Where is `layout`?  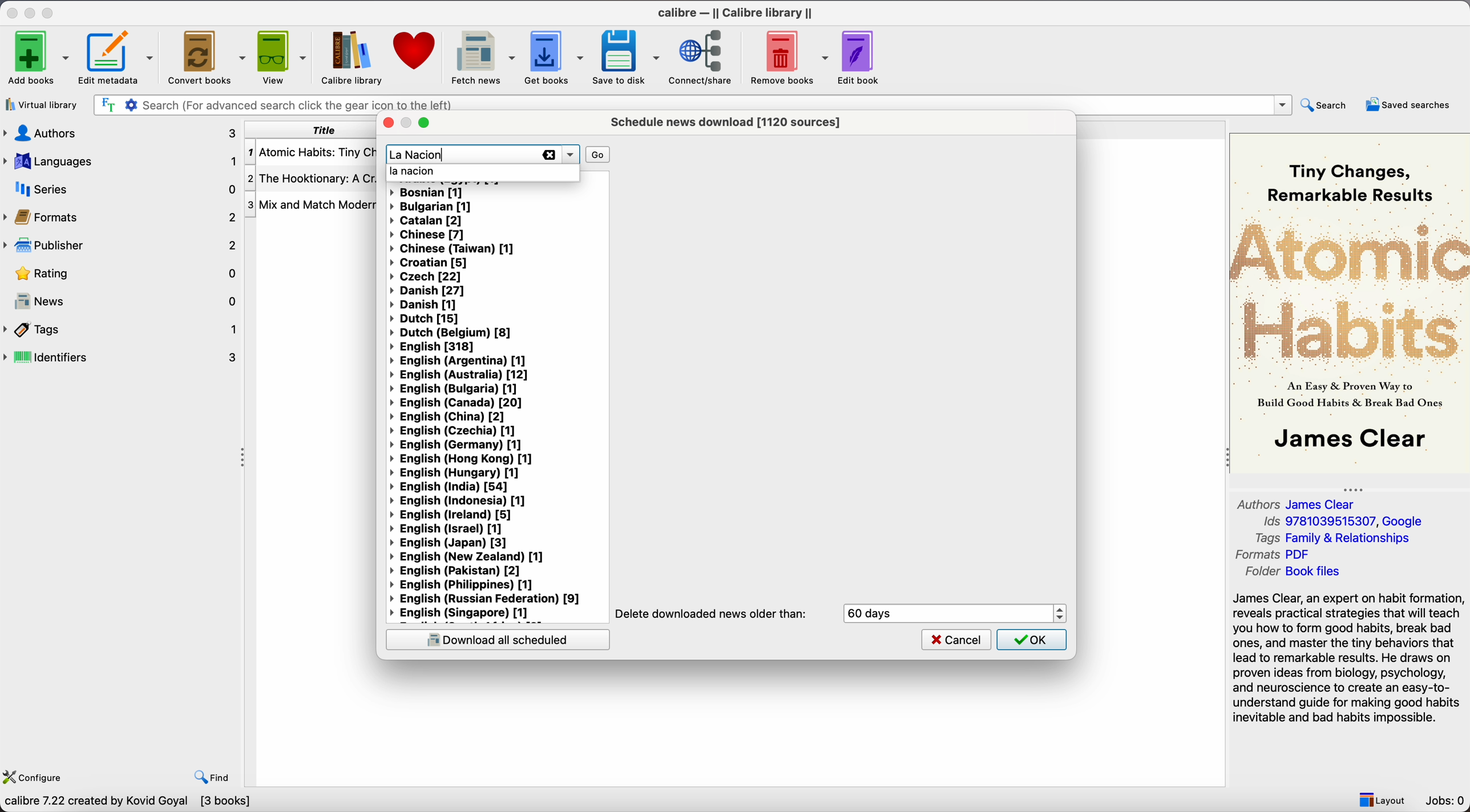 layout is located at coordinates (1381, 798).